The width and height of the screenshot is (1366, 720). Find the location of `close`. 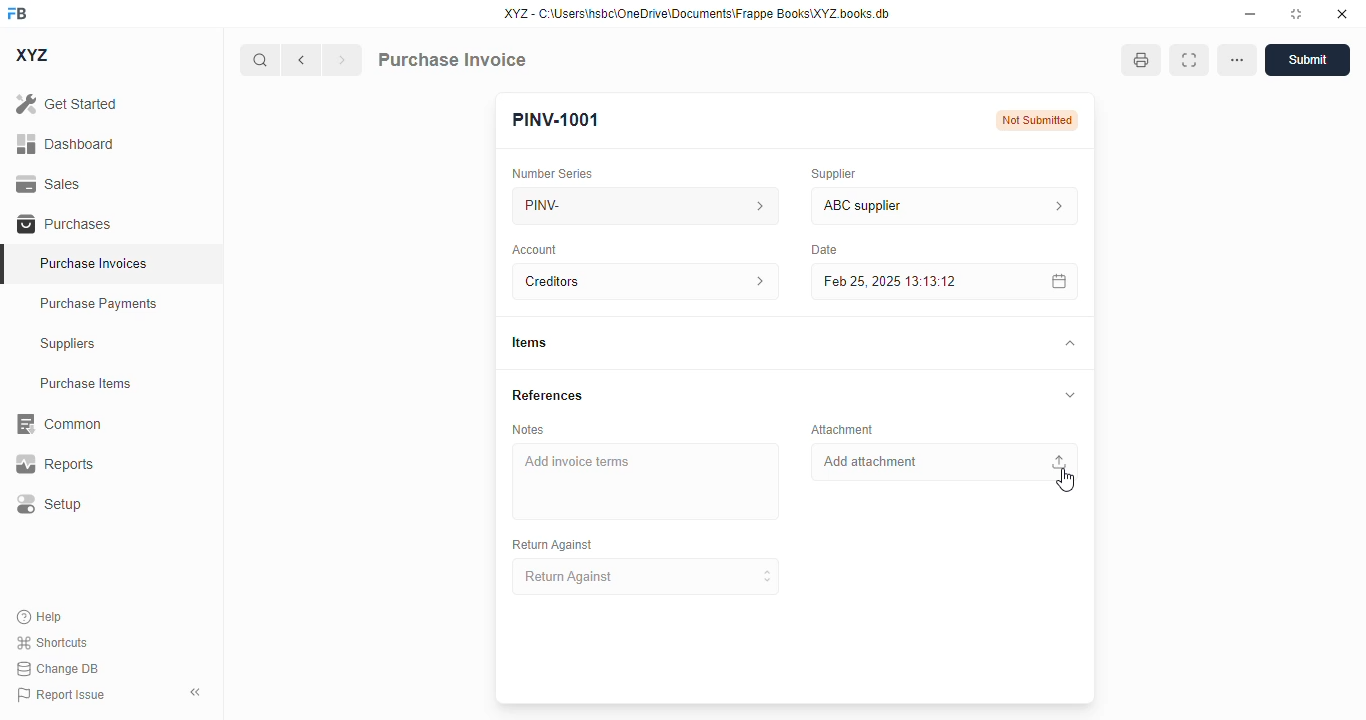

close is located at coordinates (1342, 13).